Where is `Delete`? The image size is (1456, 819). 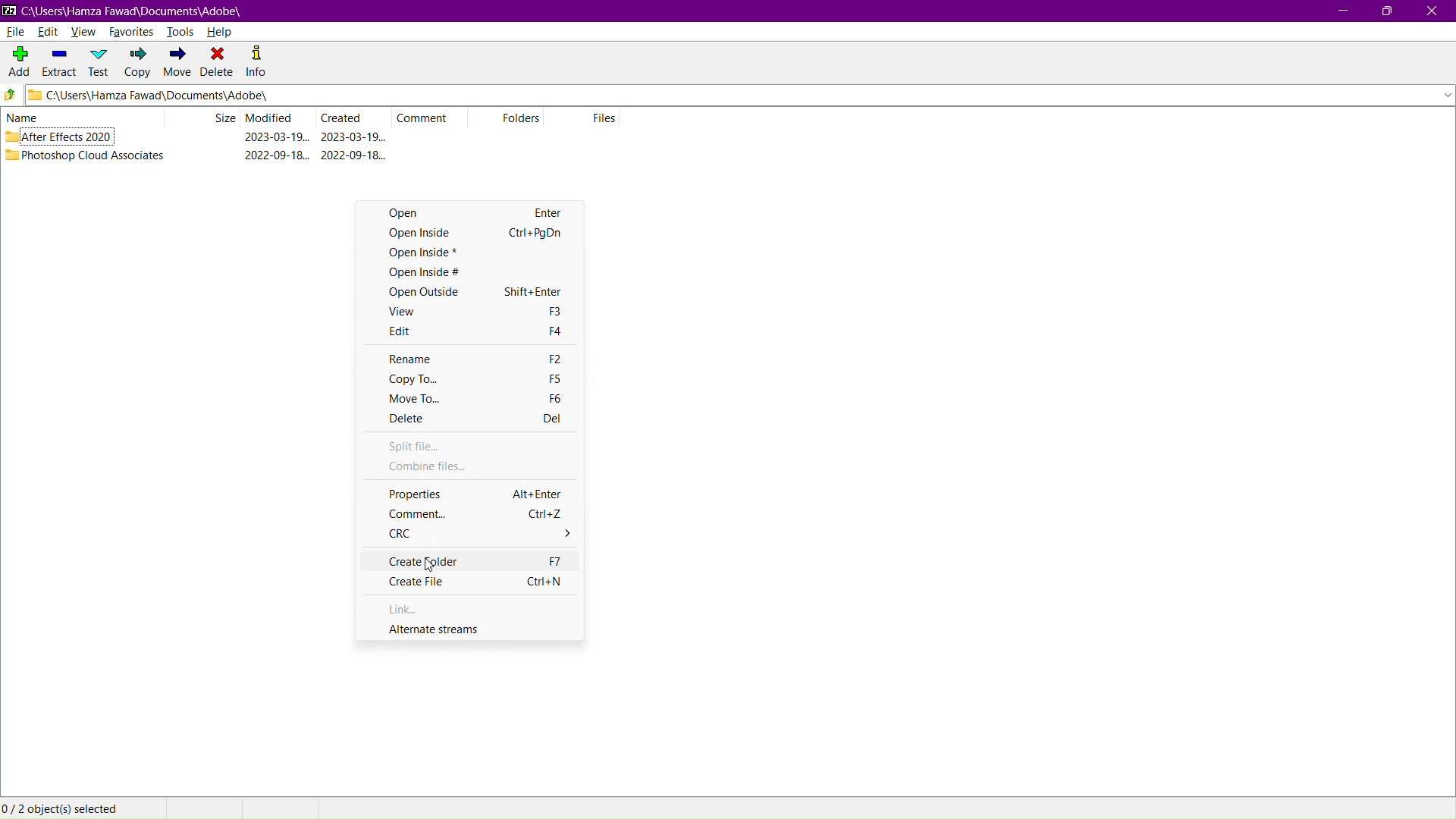 Delete is located at coordinates (218, 63).